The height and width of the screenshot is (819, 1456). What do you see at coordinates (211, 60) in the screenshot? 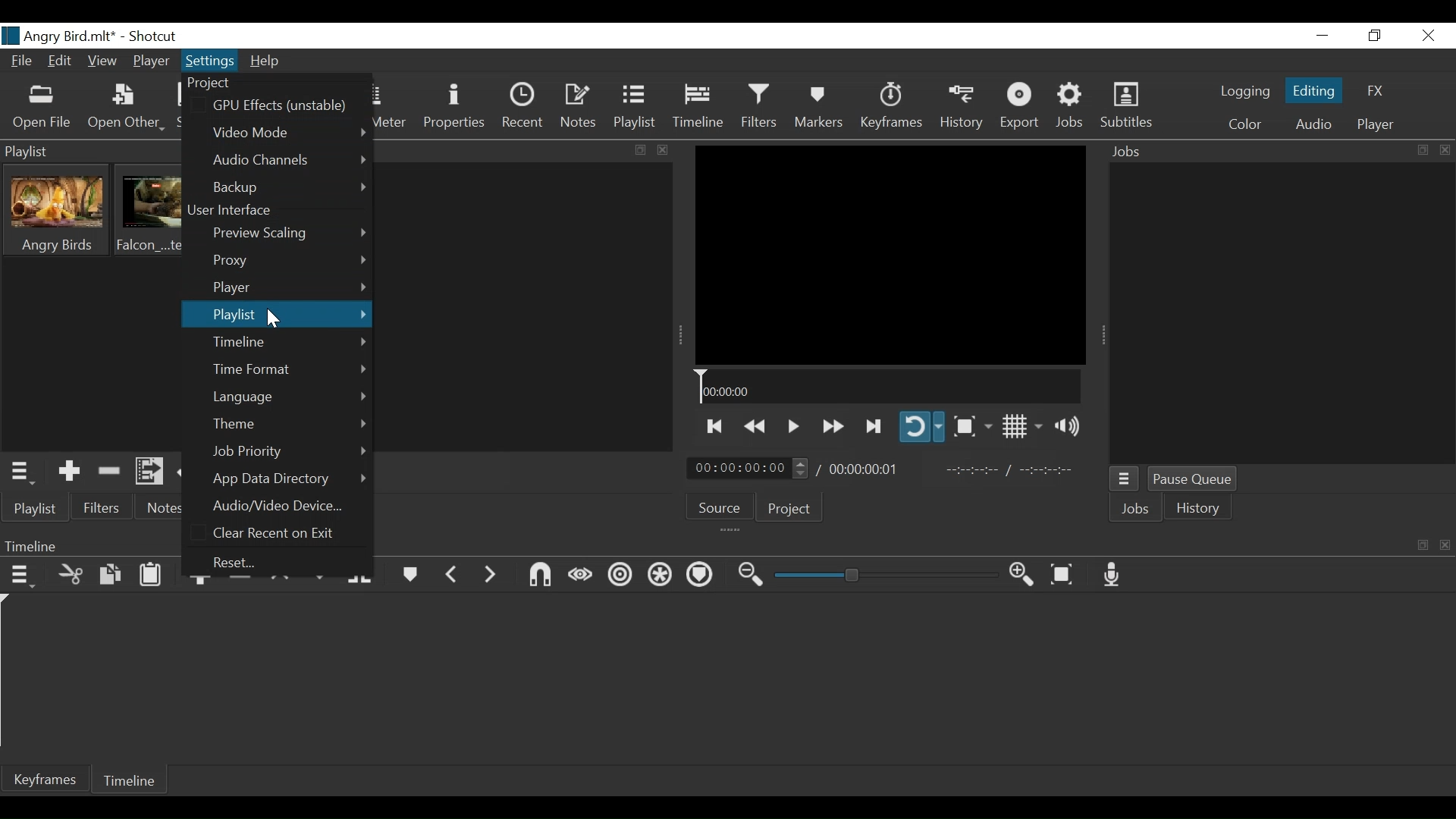
I see `Settings` at bounding box center [211, 60].